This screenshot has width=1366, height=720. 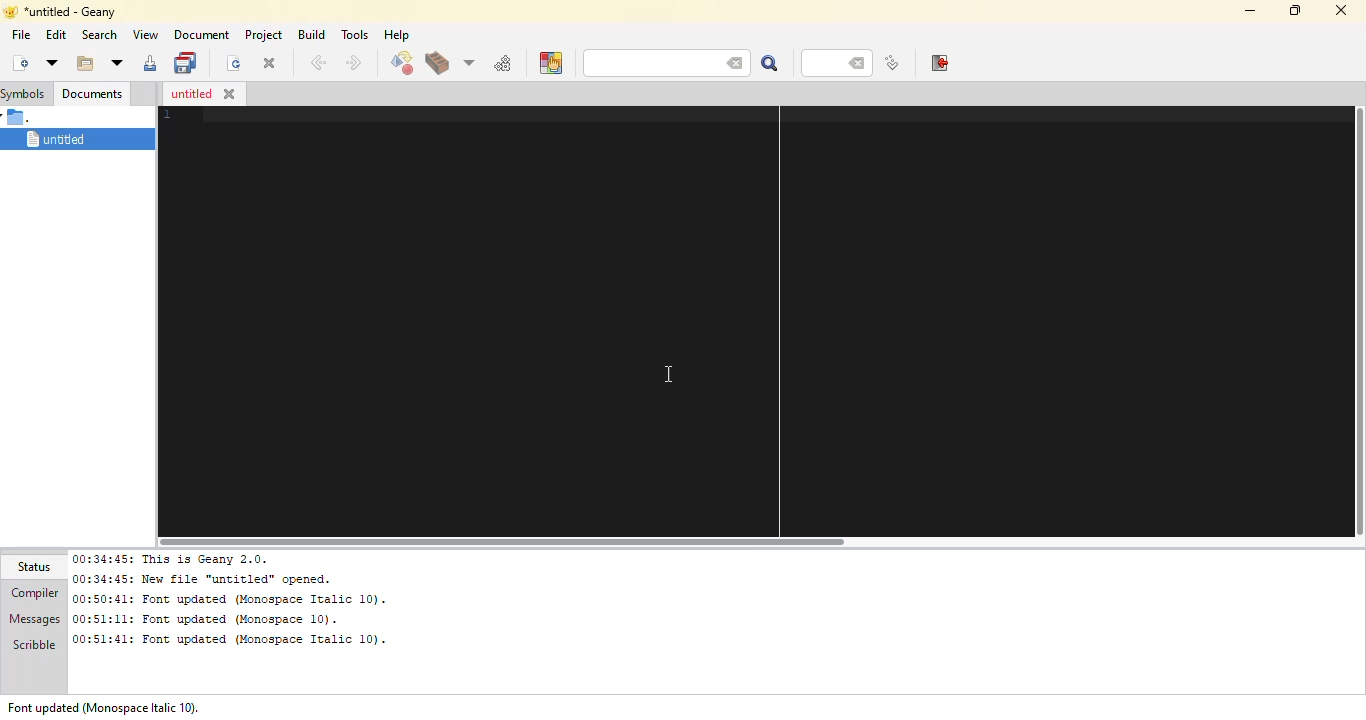 I want to click on save all, so click(x=187, y=61).